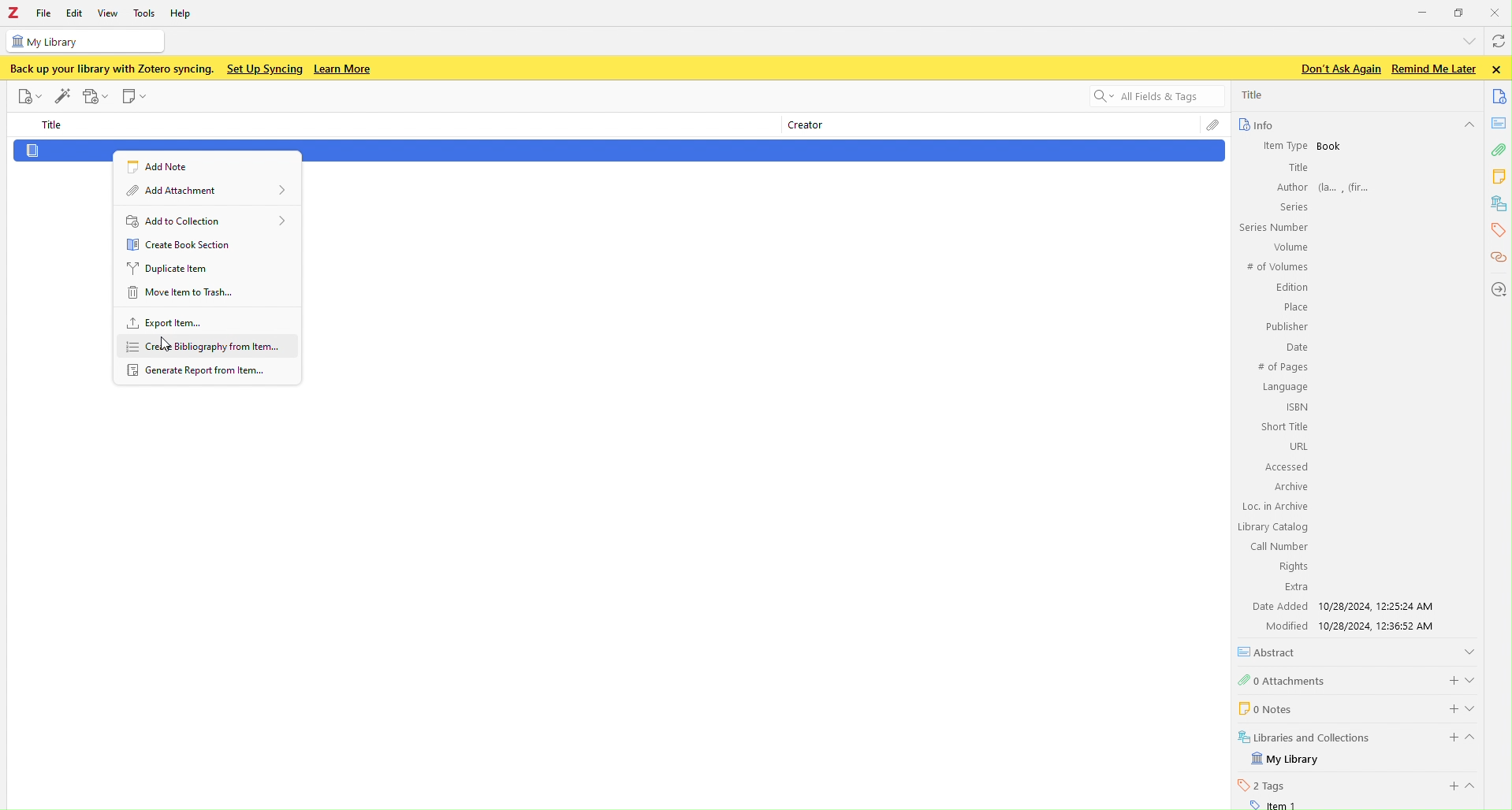 The height and width of the screenshot is (810, 1512). I want to click on show, so click(1473, 678).